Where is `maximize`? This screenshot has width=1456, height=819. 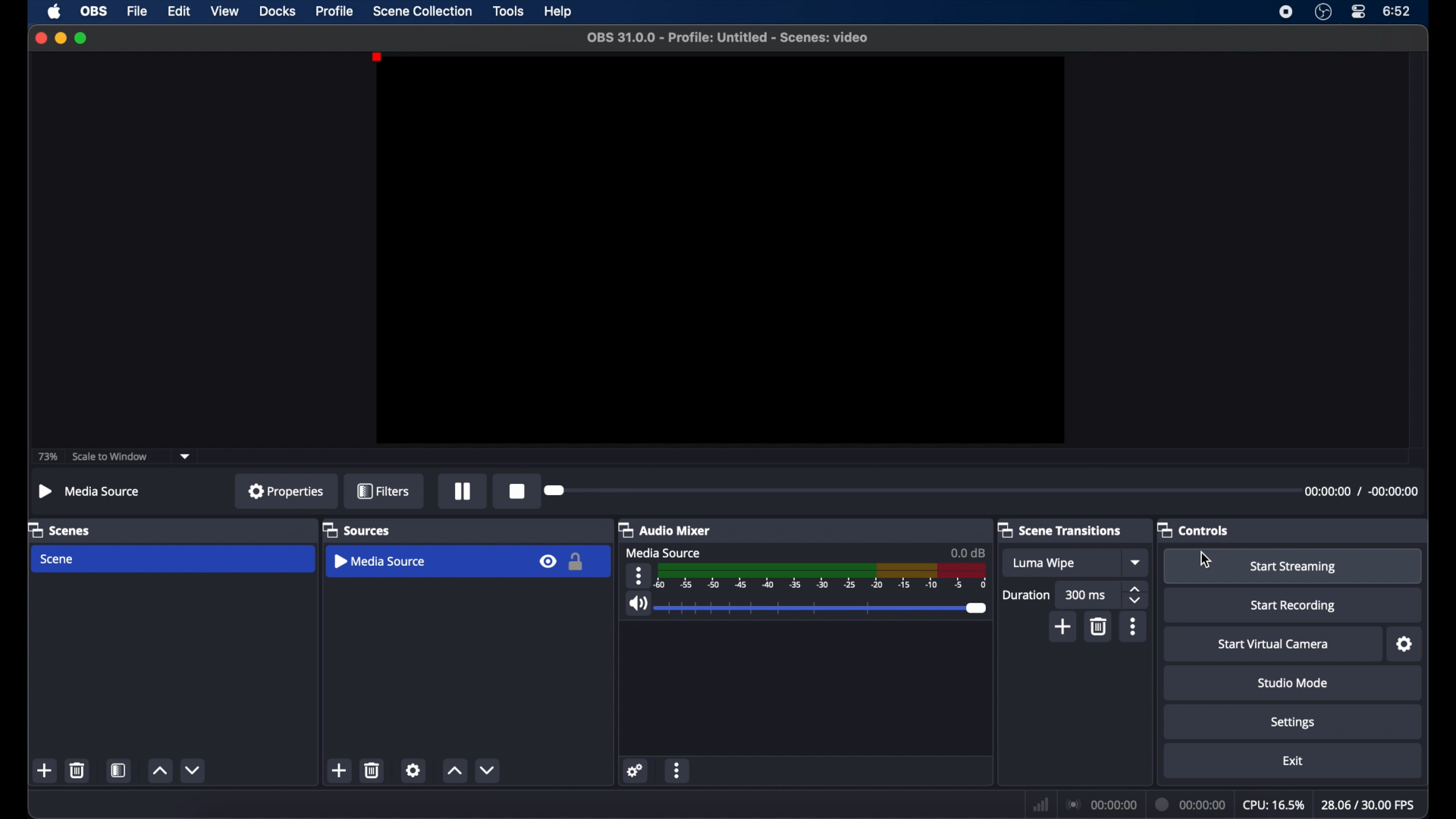 maximize is located at coordinates (81, 38).